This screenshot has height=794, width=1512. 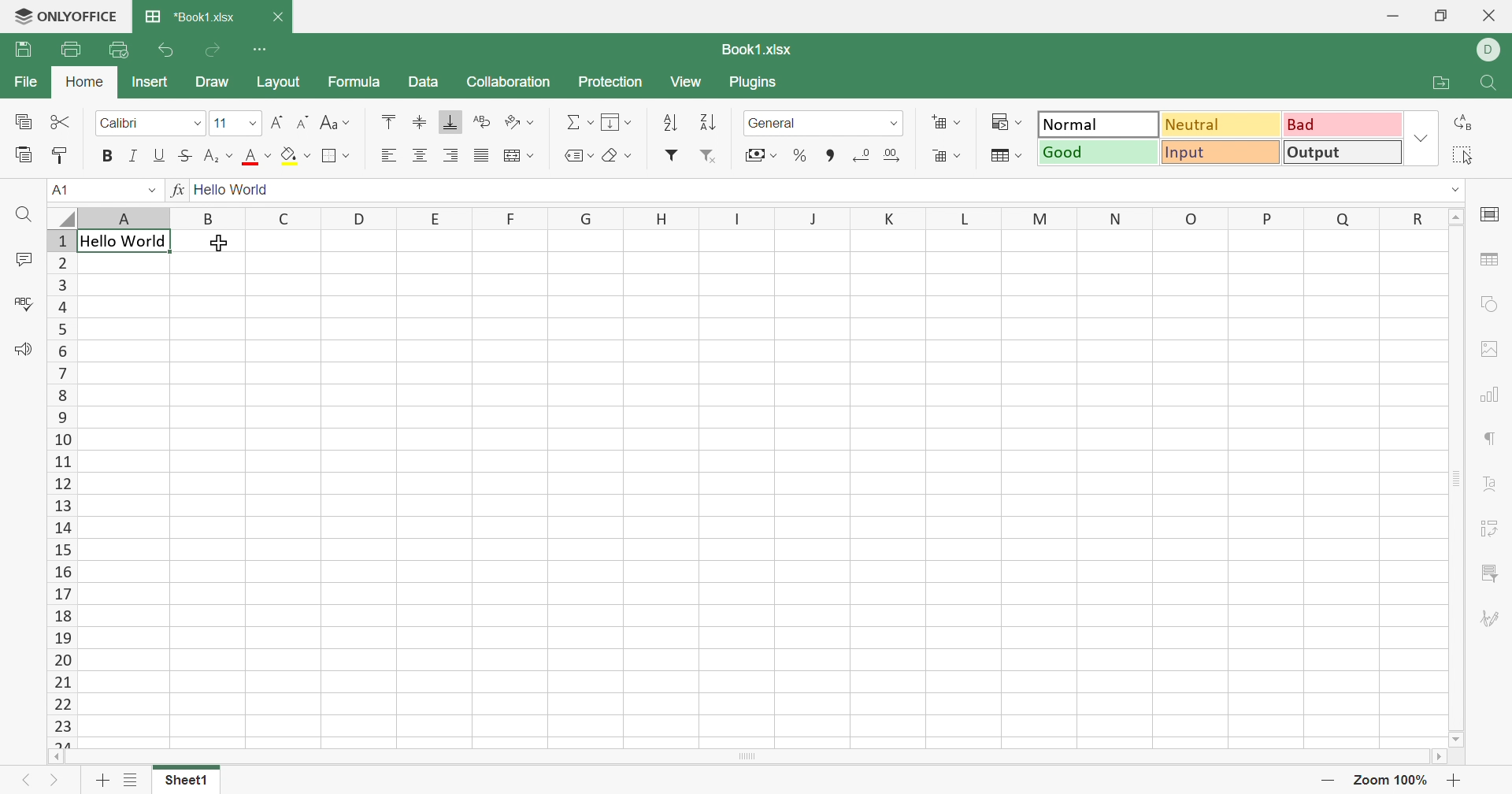 I want to click on Formula, so click(x=352, y=83).